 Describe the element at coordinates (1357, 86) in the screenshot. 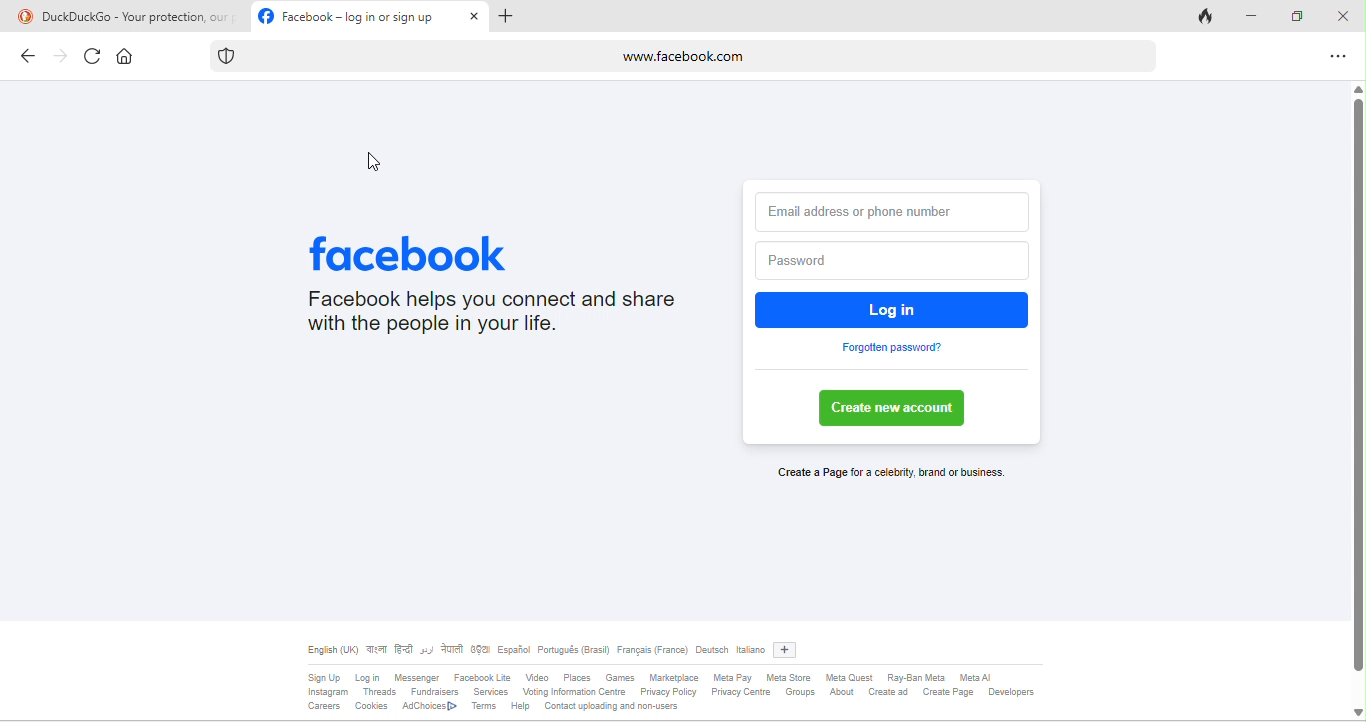

I see `scroll up` at that location.